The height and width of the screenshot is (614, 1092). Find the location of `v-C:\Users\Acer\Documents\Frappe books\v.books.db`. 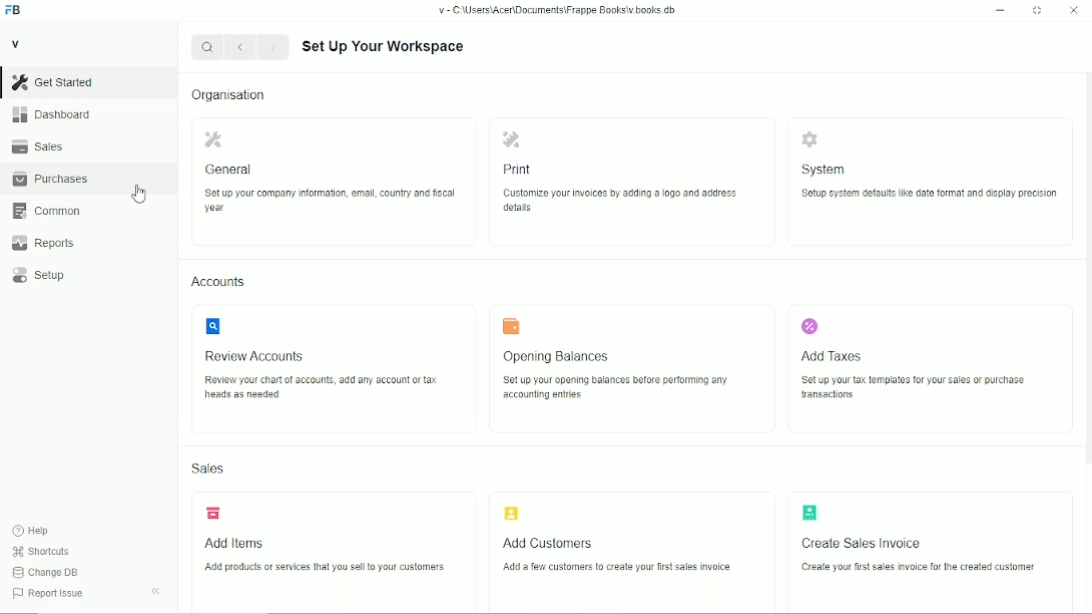

v-C:\Users\Acer\Documents\Frappe books\v.books.db is located at coordinates (558, 10).